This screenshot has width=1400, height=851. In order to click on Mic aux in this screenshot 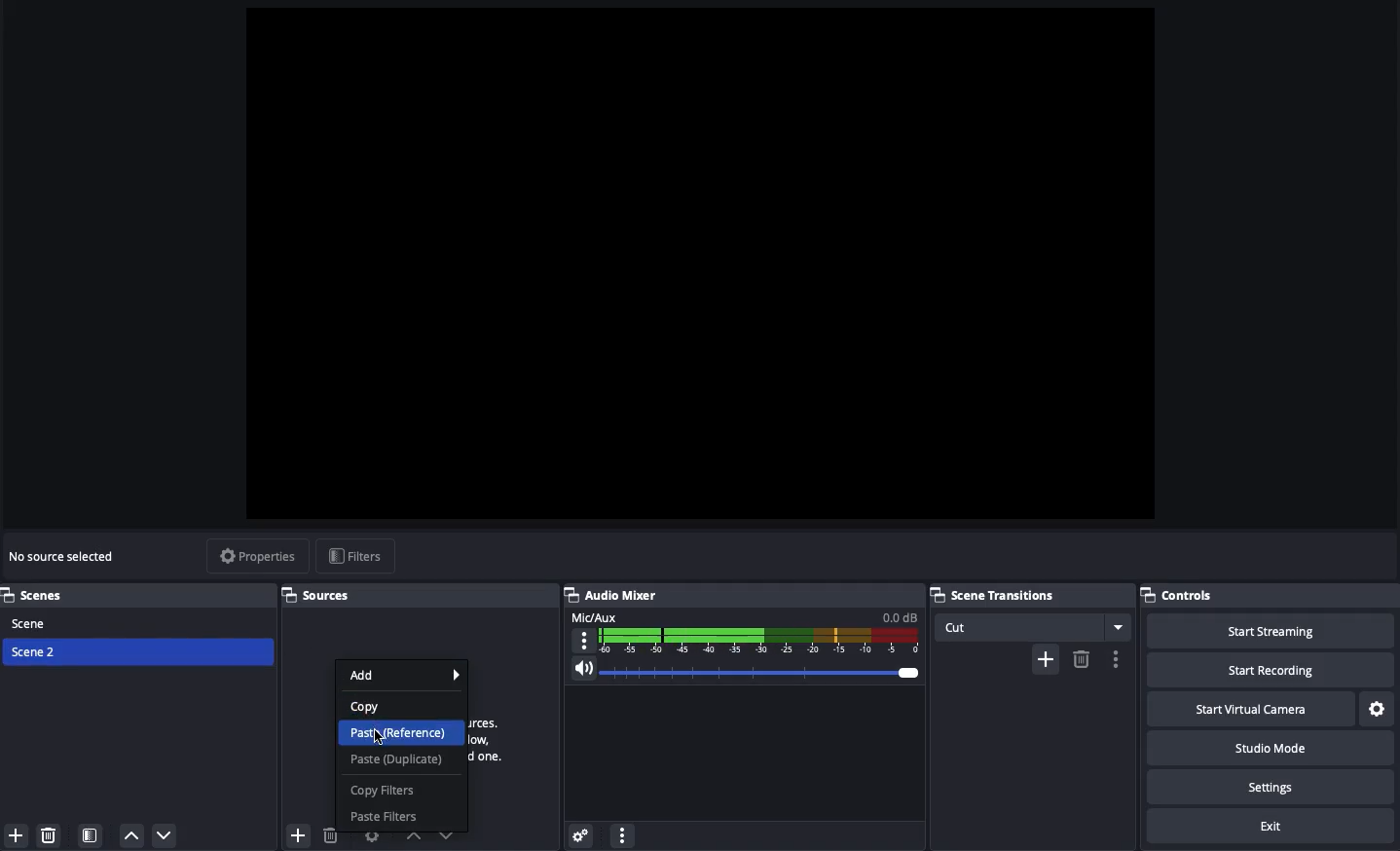, I will do `click(746, 631)`.